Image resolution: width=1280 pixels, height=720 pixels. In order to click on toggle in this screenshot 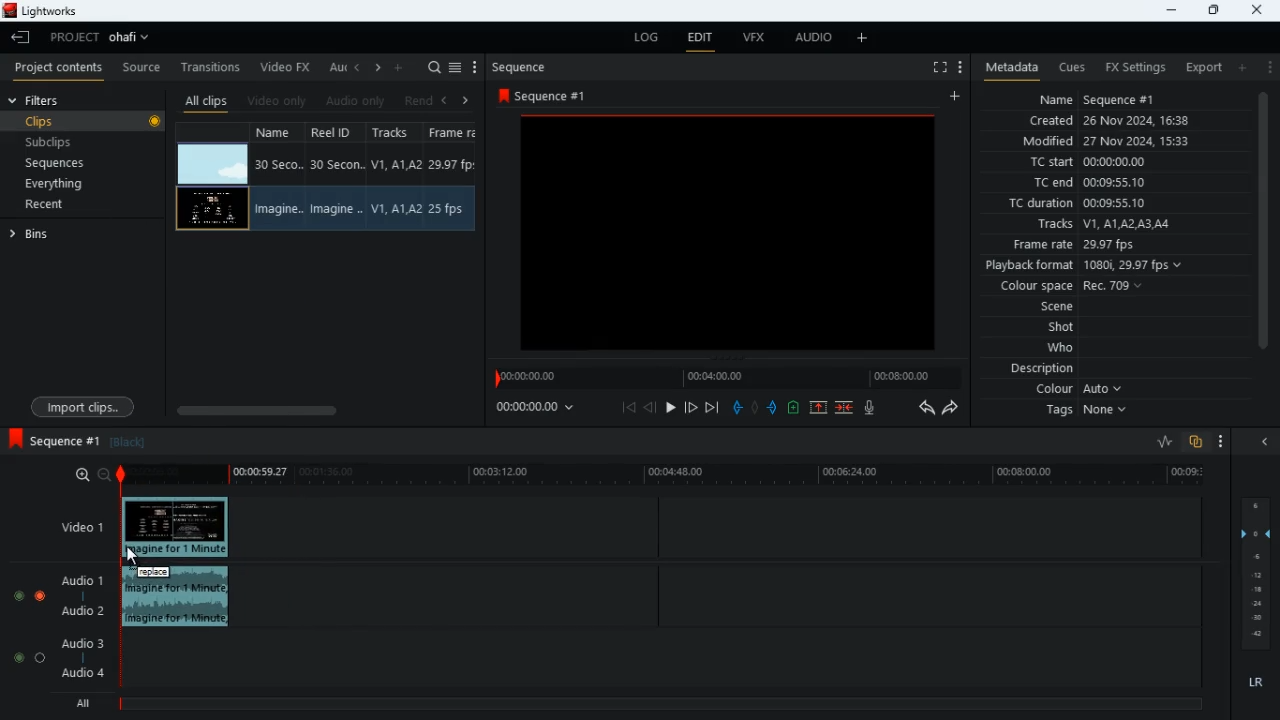, I will do `click(39, 657)`.